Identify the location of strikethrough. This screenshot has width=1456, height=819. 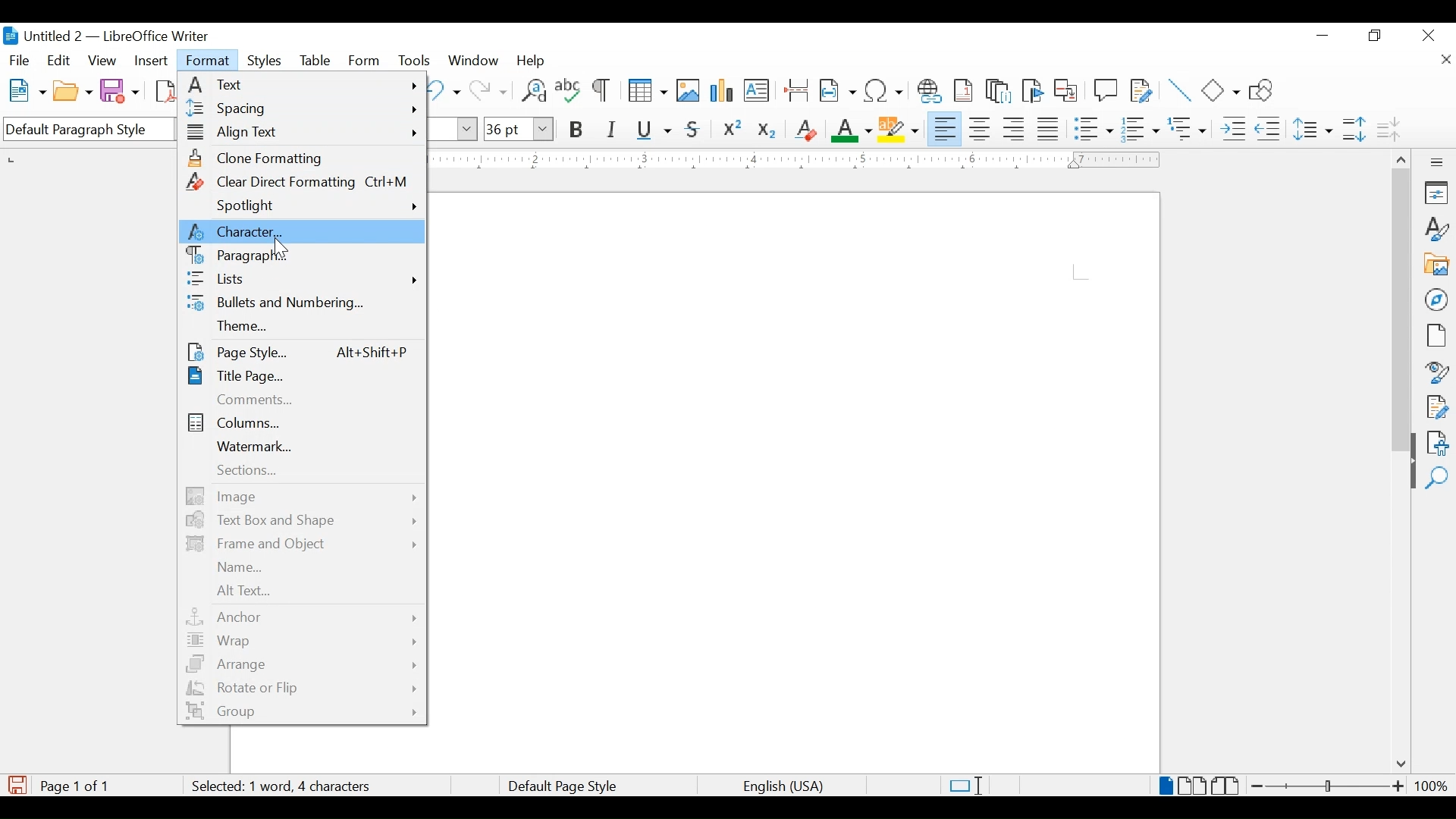
(693, 130).